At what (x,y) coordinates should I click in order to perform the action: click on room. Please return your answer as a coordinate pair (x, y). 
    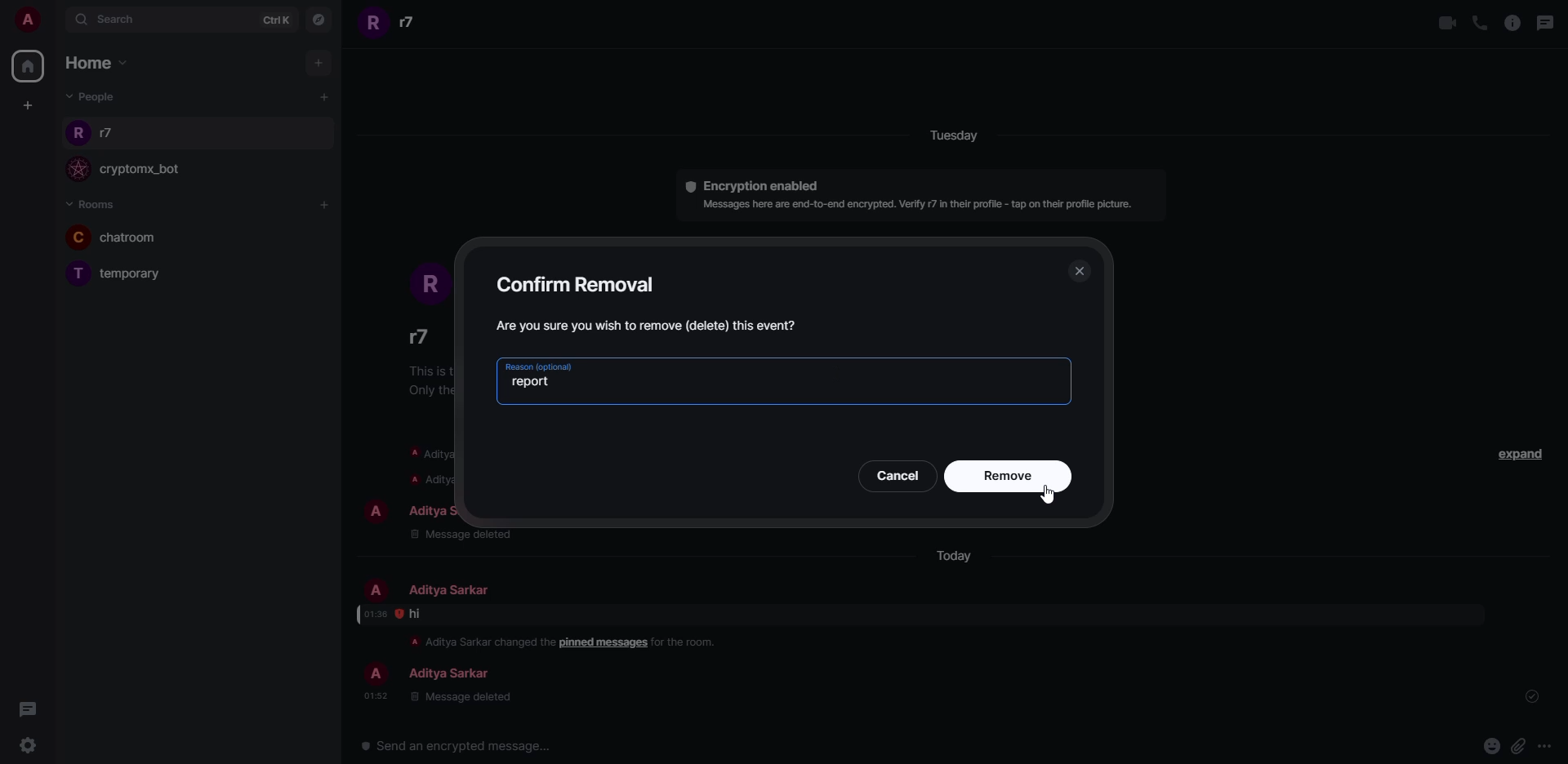
    Looking at the image, I should click on (136, 238).